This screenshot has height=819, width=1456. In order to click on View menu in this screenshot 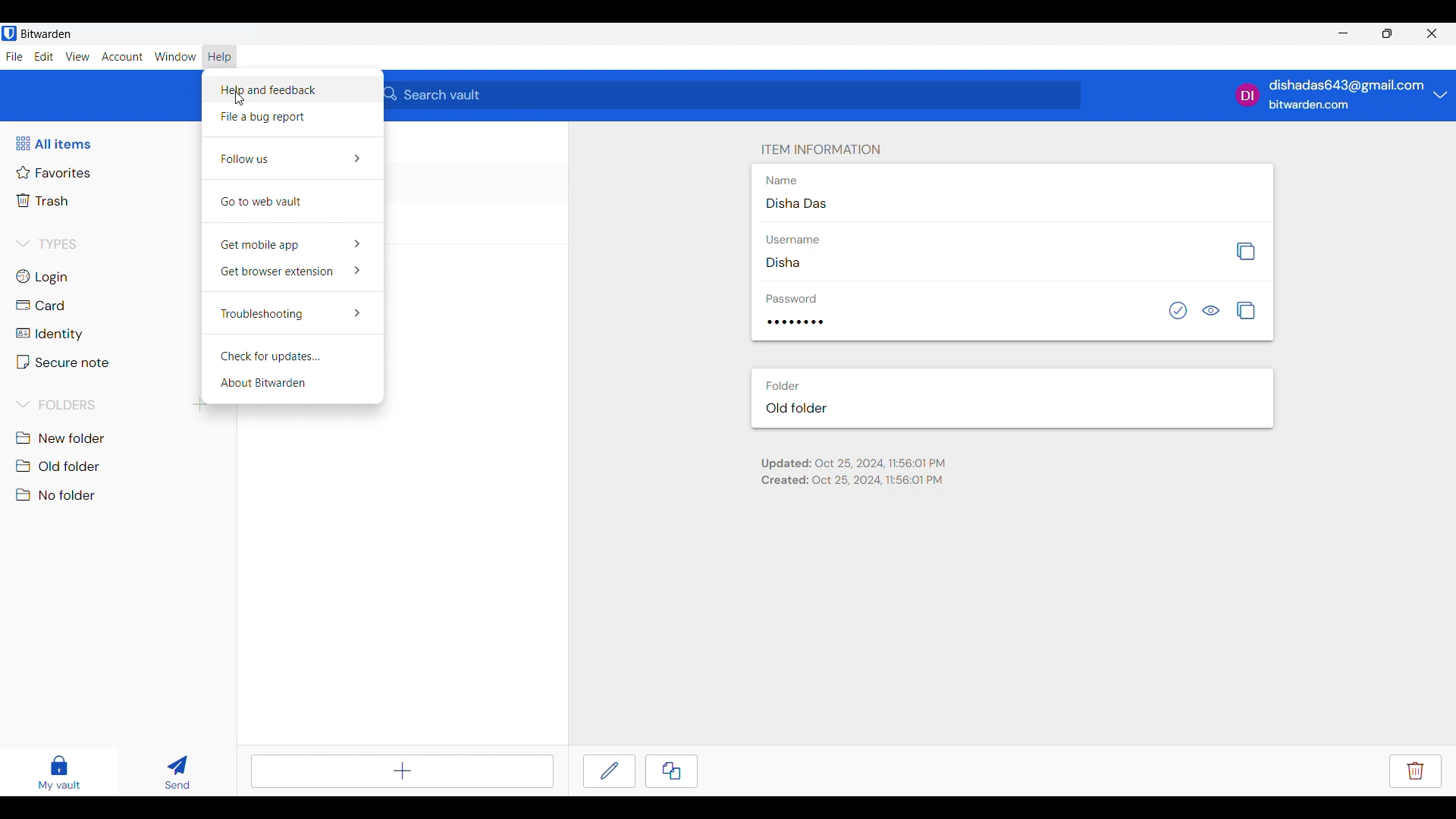, I will do `click(77, 56)`.